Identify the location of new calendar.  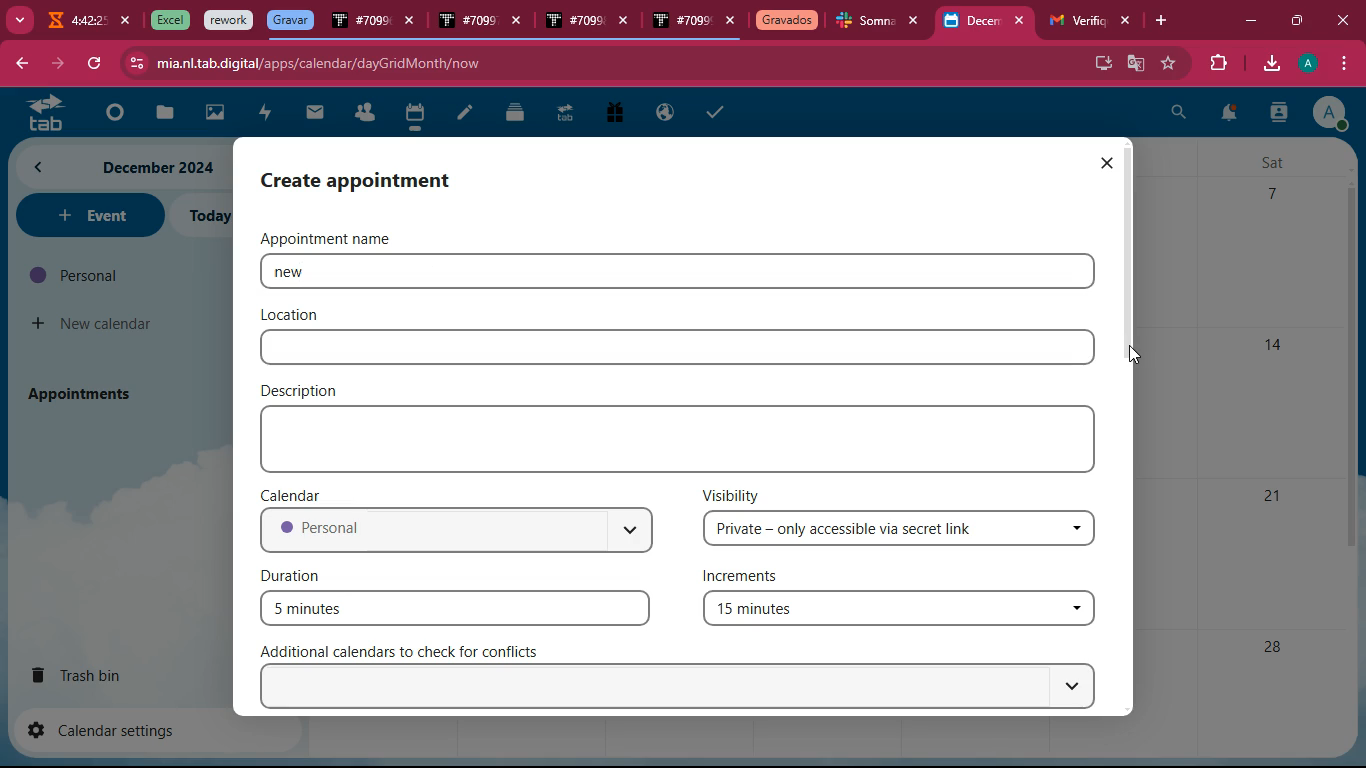
(94, 324).